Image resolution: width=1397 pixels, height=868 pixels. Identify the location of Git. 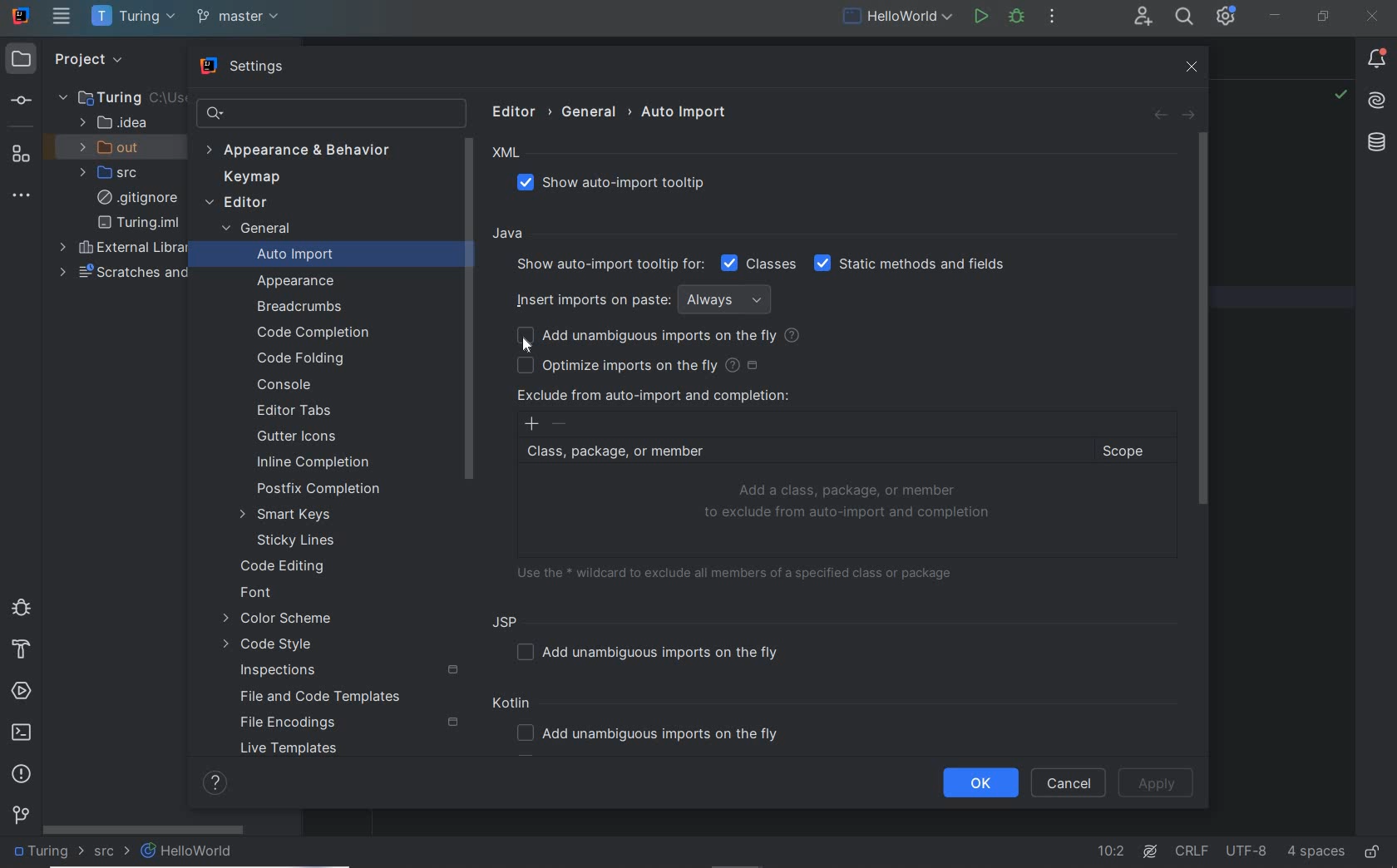
(22, 818).